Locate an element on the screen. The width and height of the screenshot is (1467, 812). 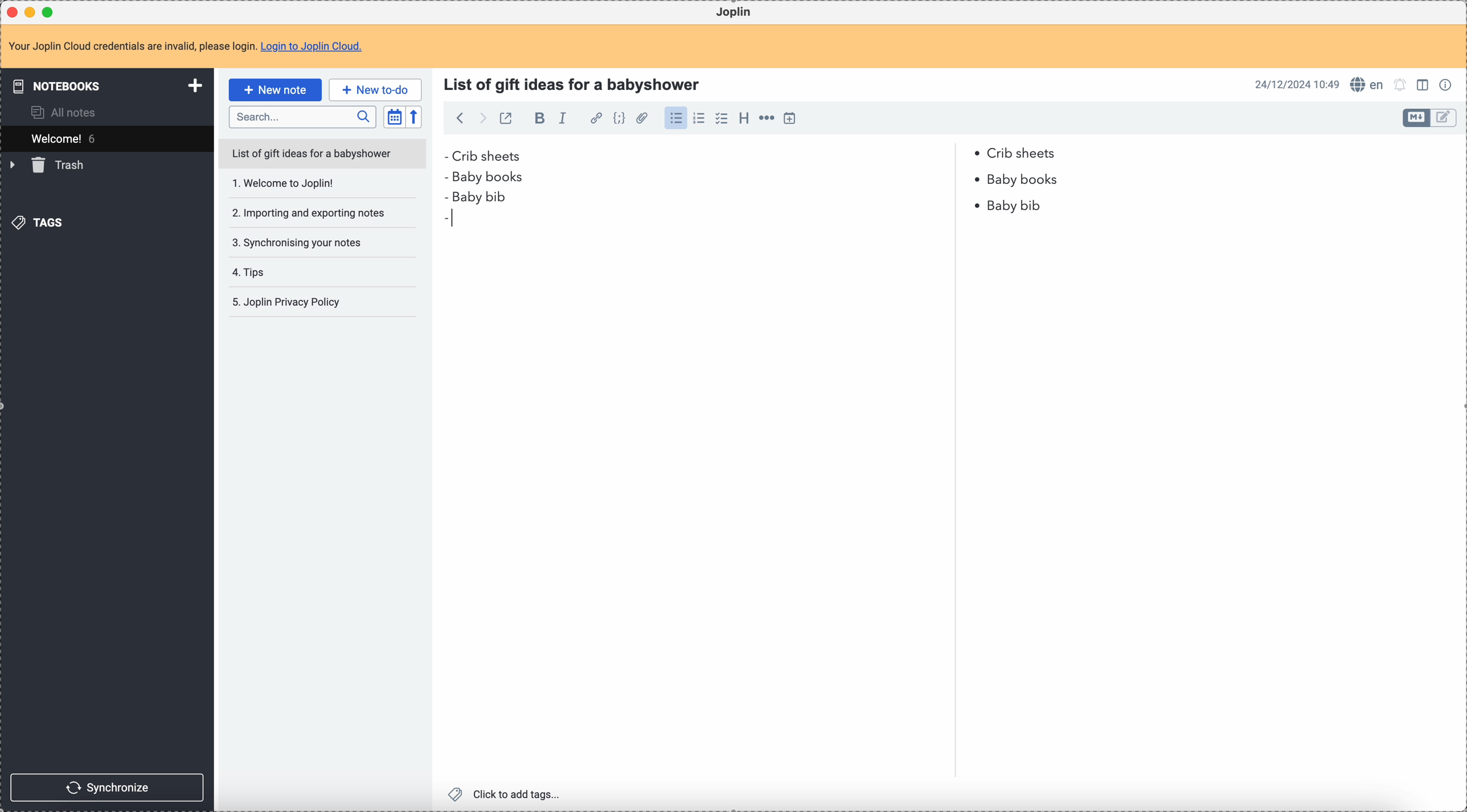
Joplin is located at coordinates (736, 13).